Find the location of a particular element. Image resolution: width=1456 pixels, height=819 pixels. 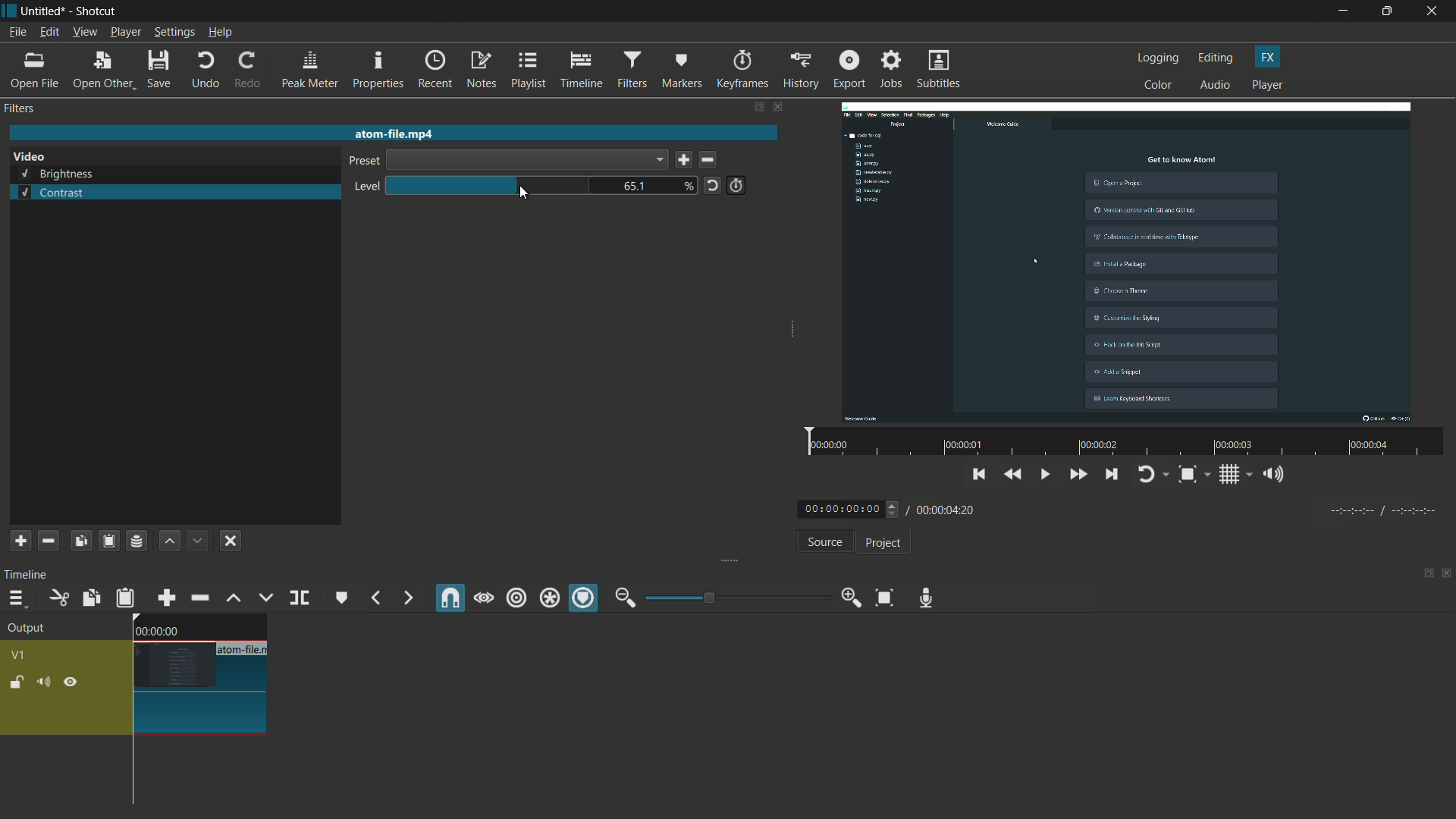

jobs is located at coordinates (891, 70).